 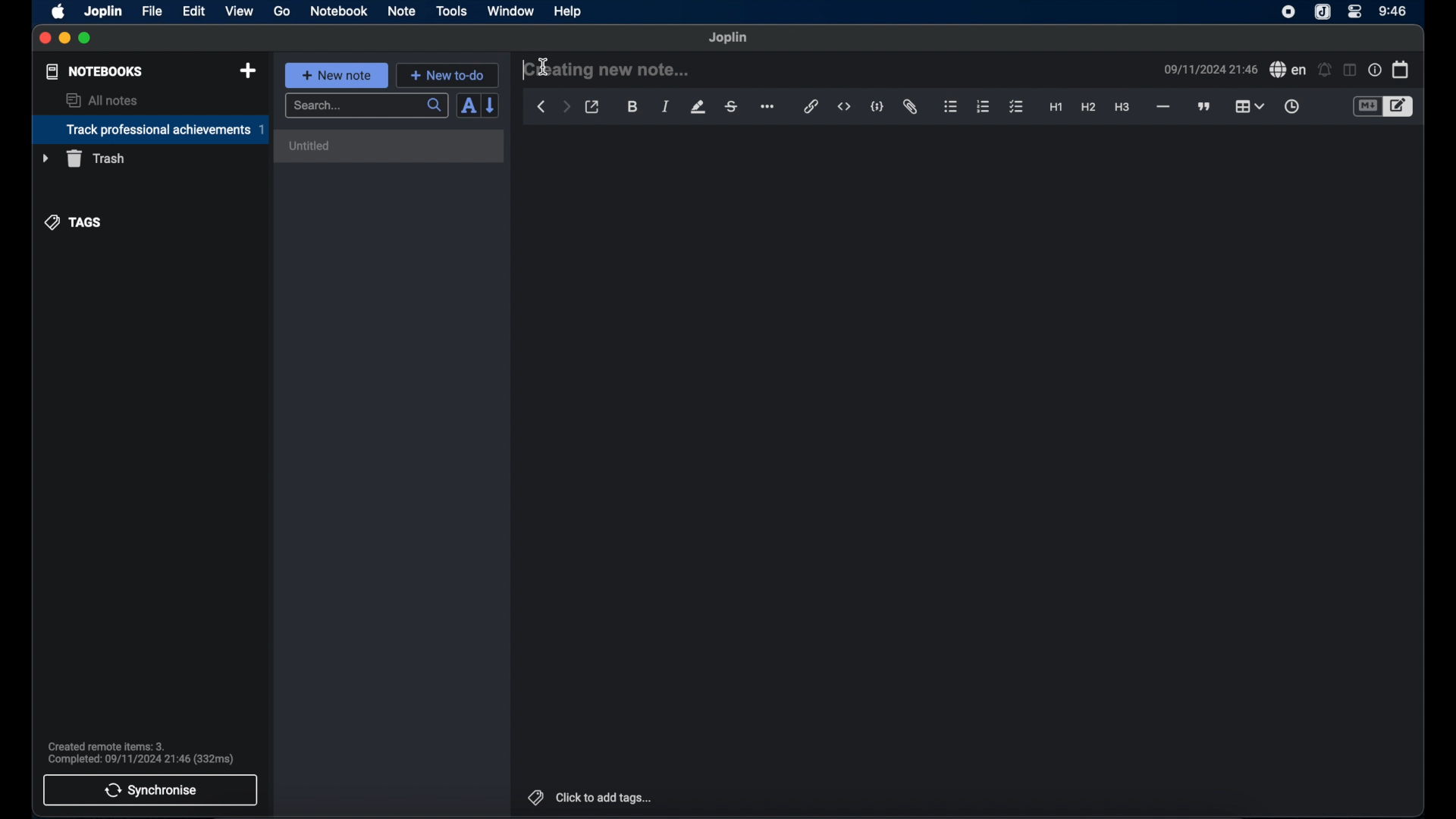 I want to click on toggle external editor, so click(x=592, y=107).